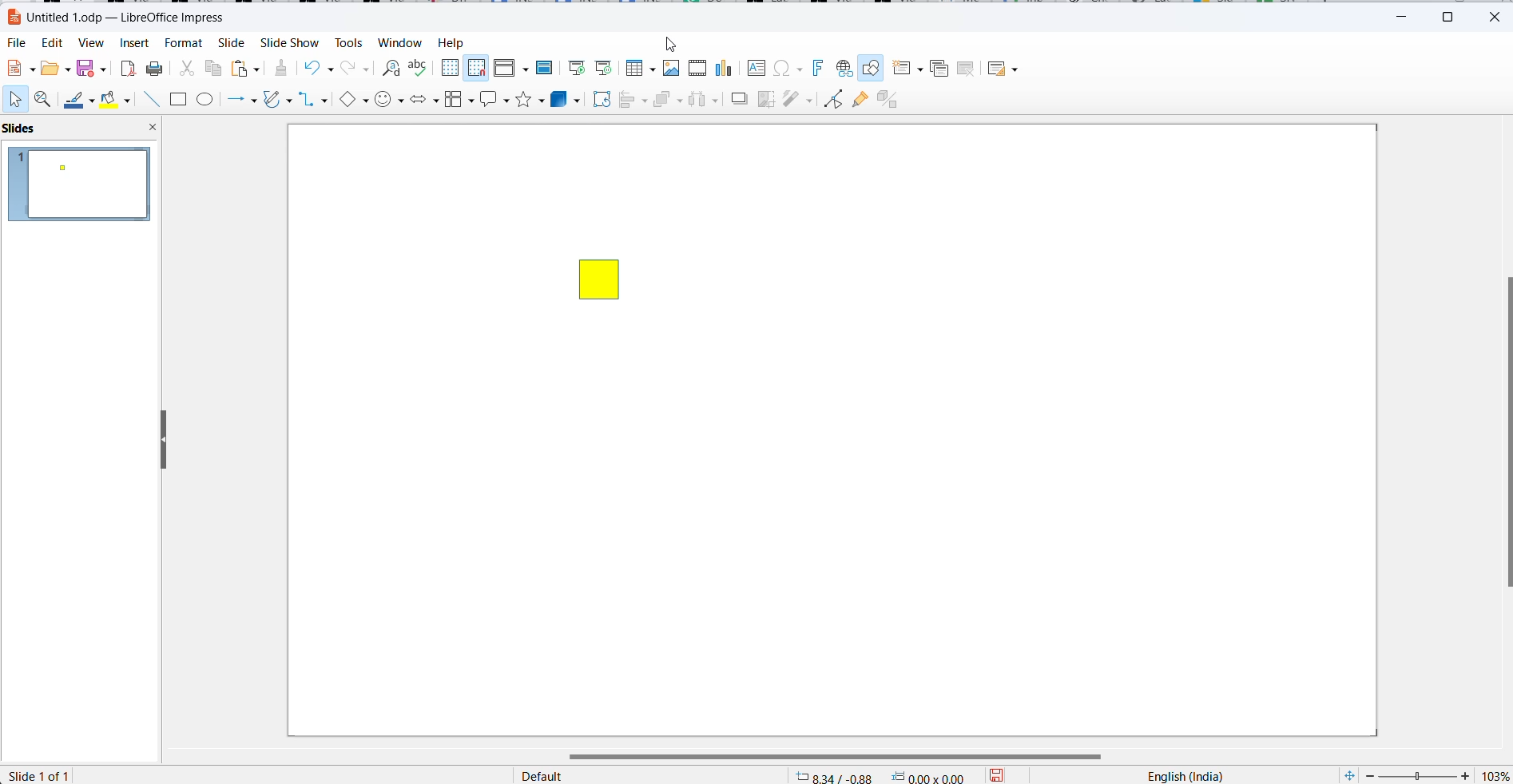 This screenshot has width=1513, height=784. I want to click on rectangle, so click(178, 101).